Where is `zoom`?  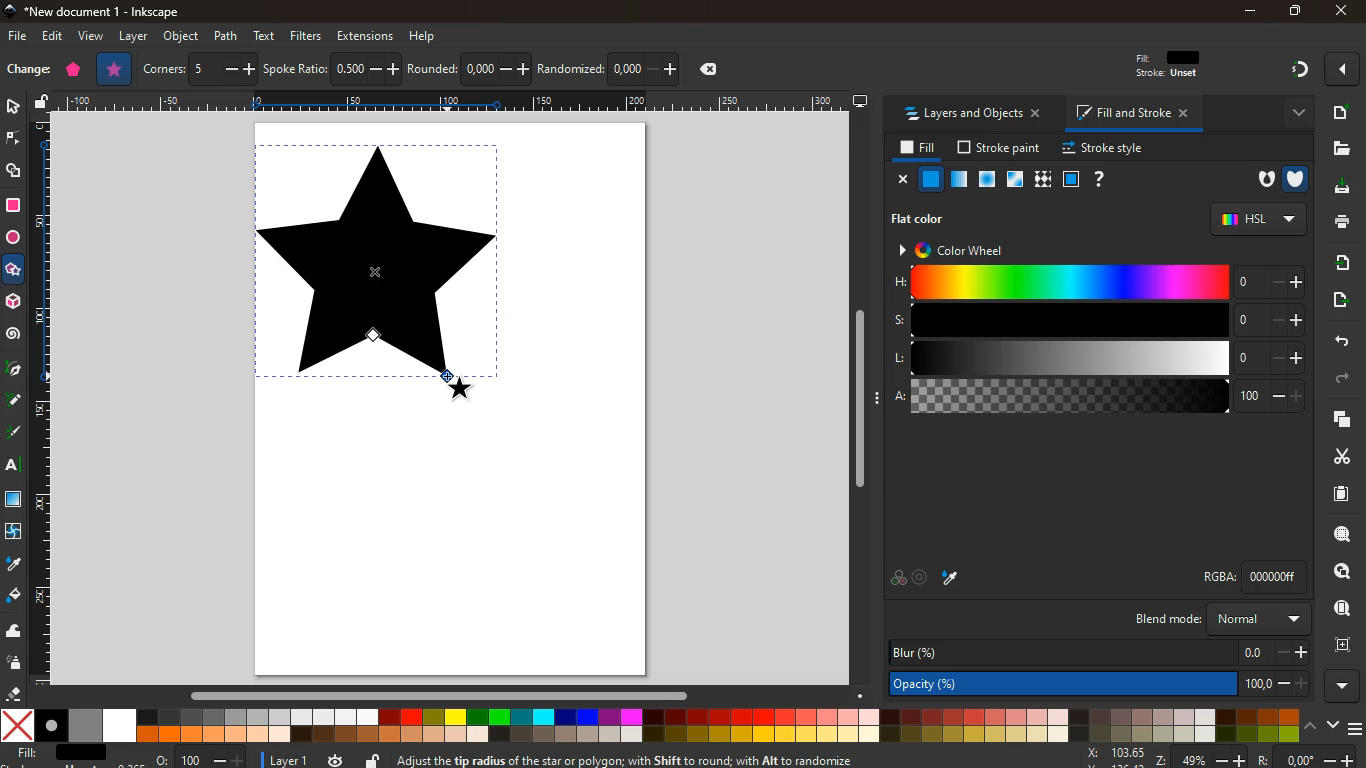 zoom is located at coordinates (1339, 536).